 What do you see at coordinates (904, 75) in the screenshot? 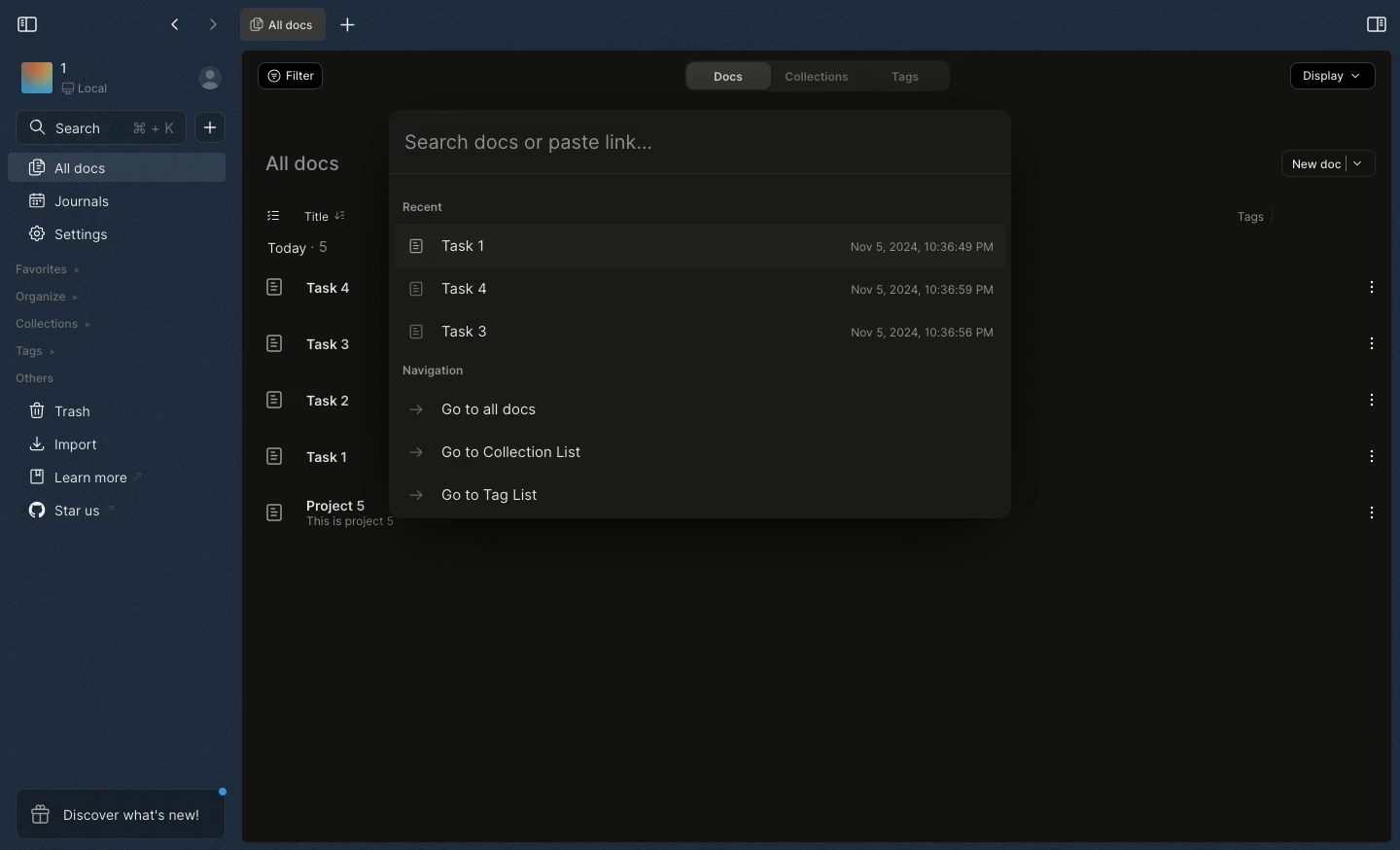
I see `Tags` at bounding box center [904, 75].